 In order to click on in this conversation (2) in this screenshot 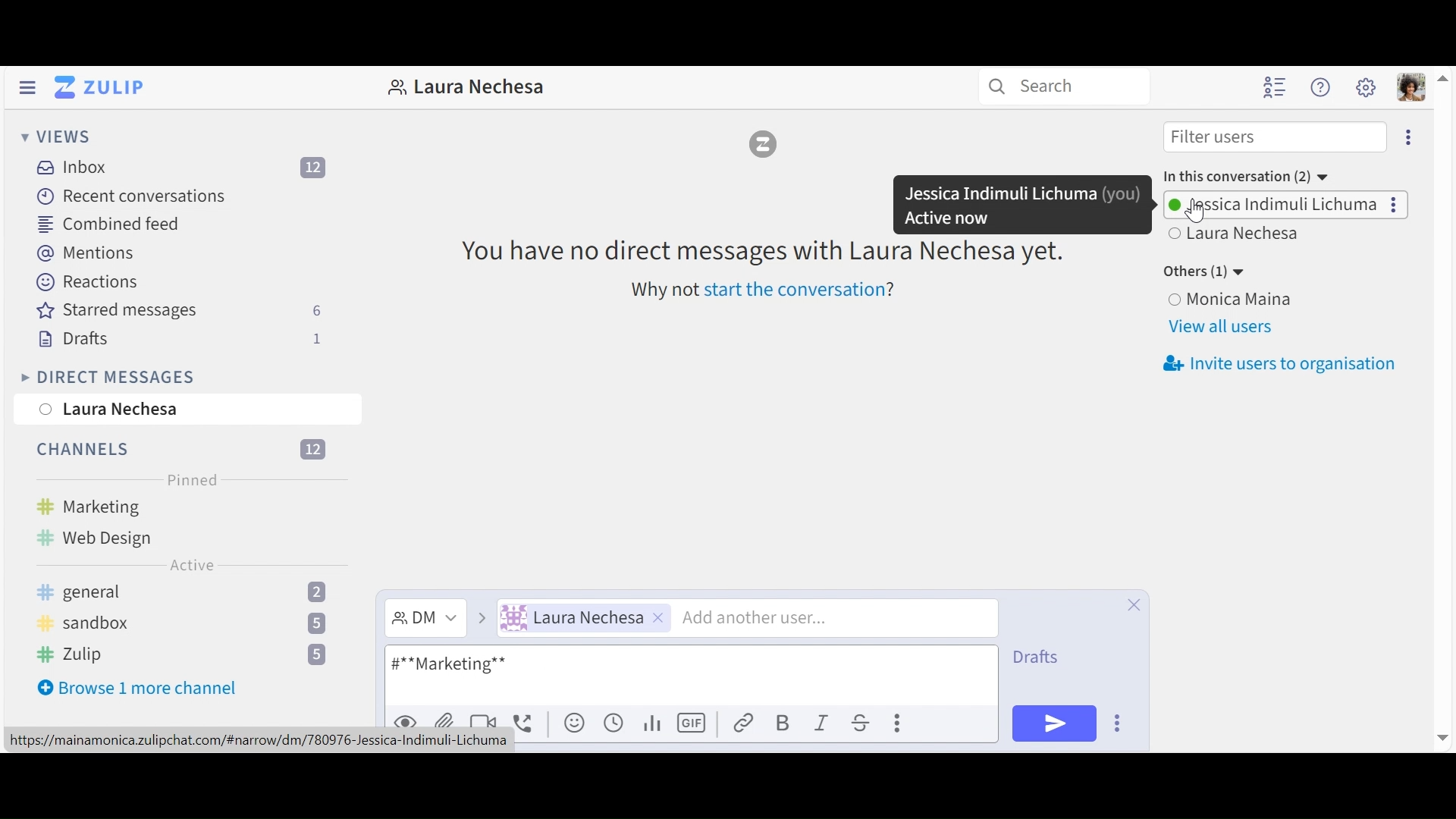, I will do `click(1247, 175)`.